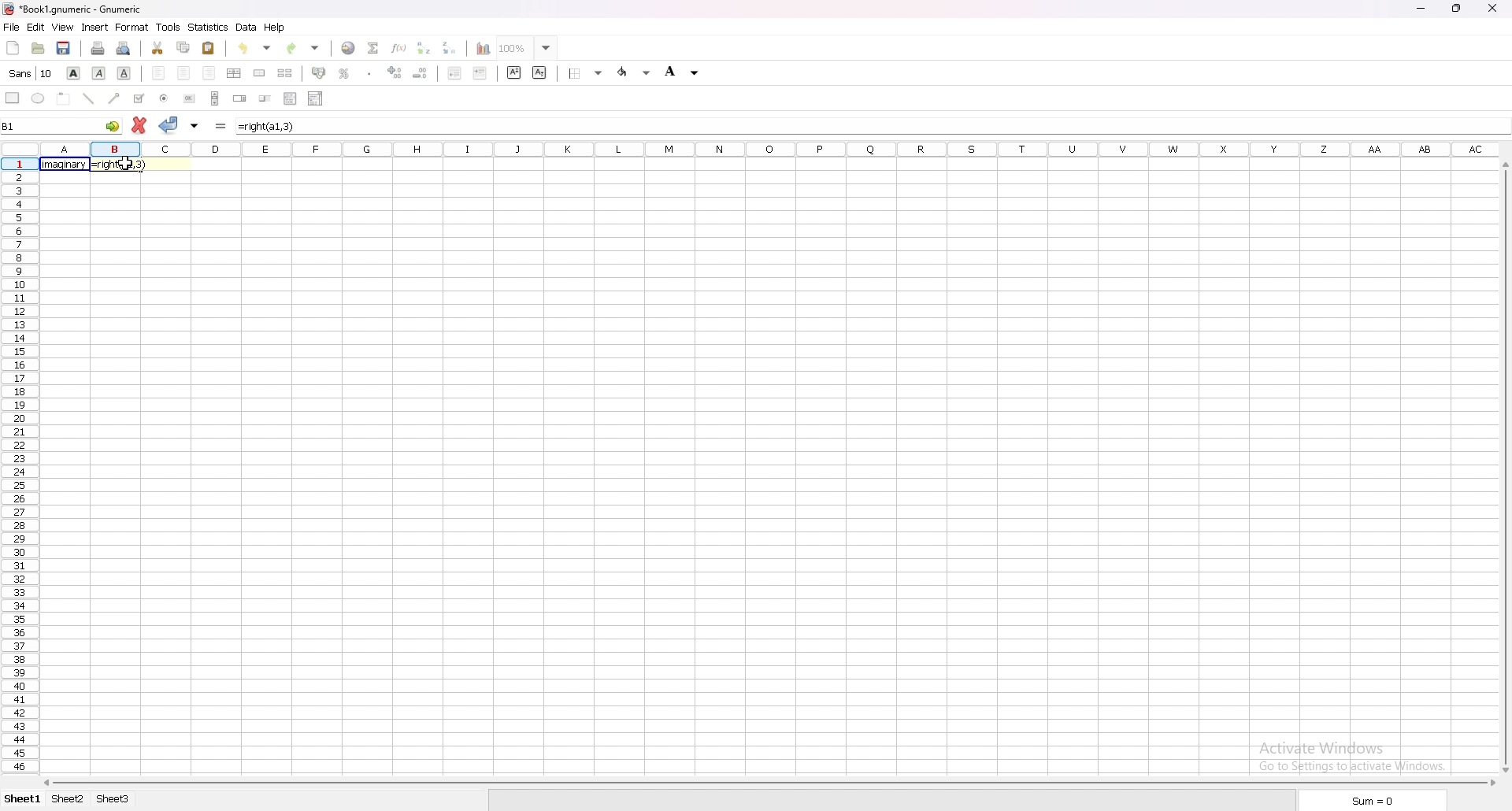 This screenshot has width=1512, height=811. I want to click on scroll bar, so click(215, 98).